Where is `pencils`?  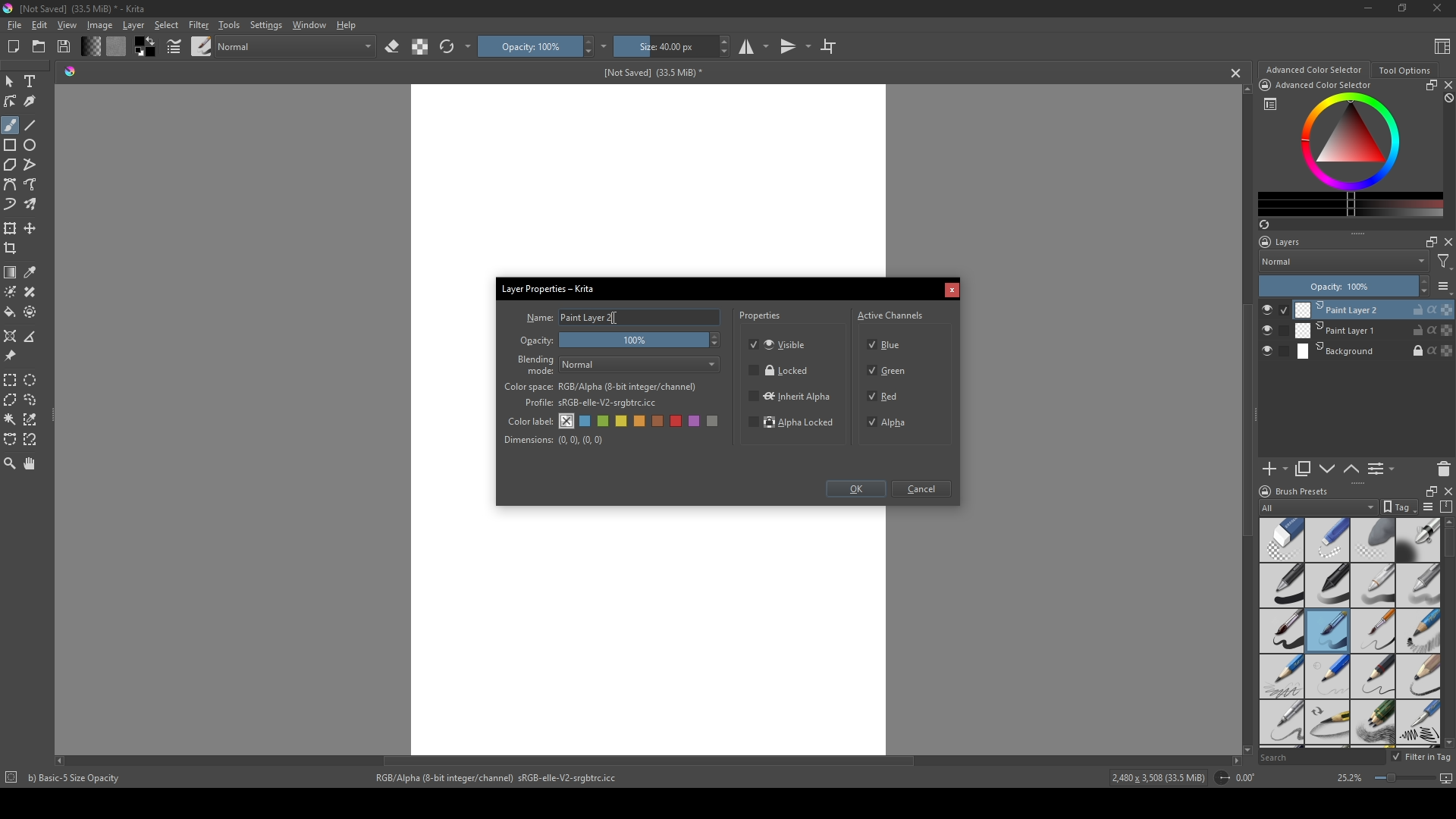
pencils is located at coordinates (1372, 723).